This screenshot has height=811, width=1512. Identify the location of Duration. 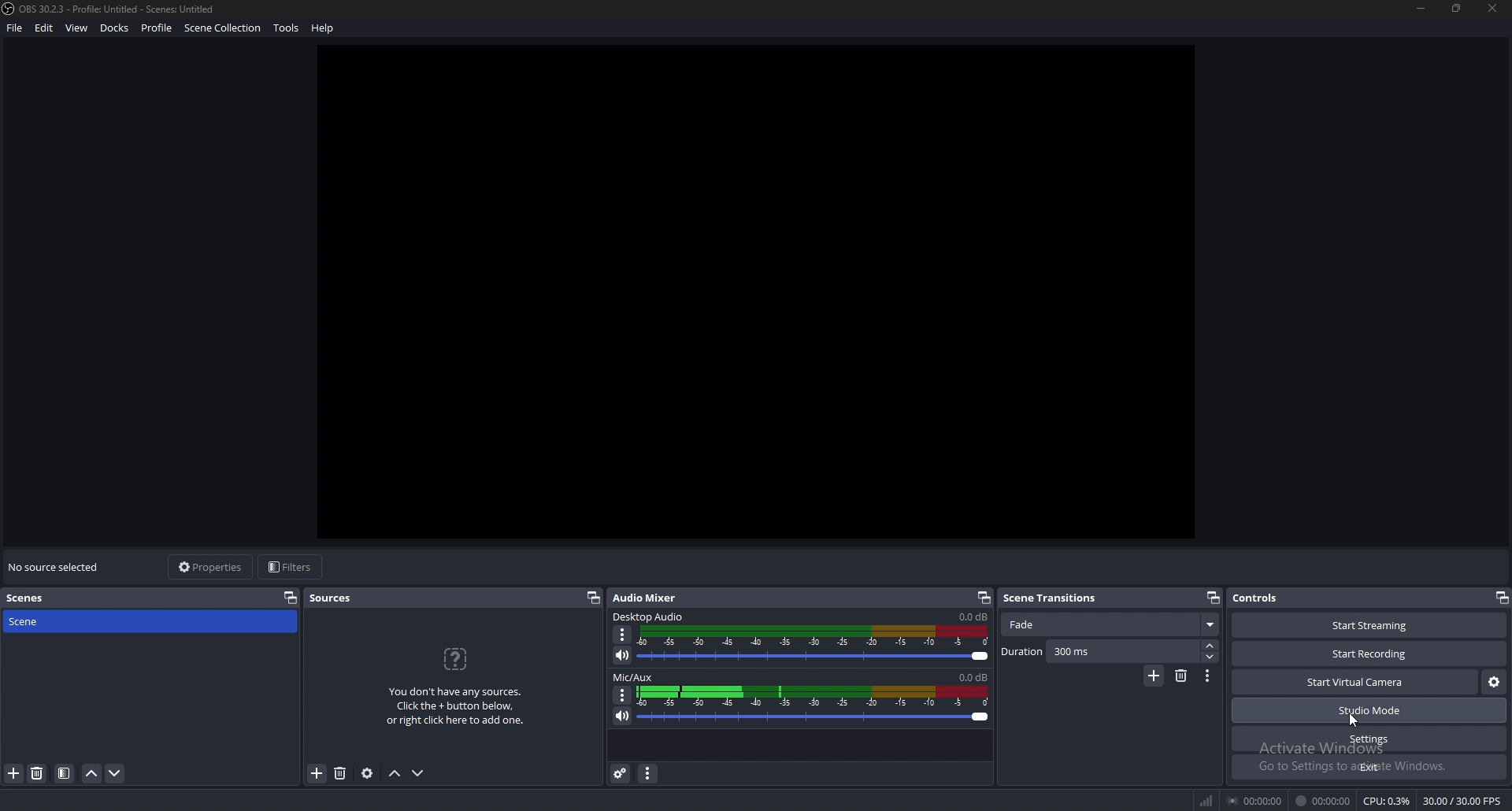
(1110, 652).